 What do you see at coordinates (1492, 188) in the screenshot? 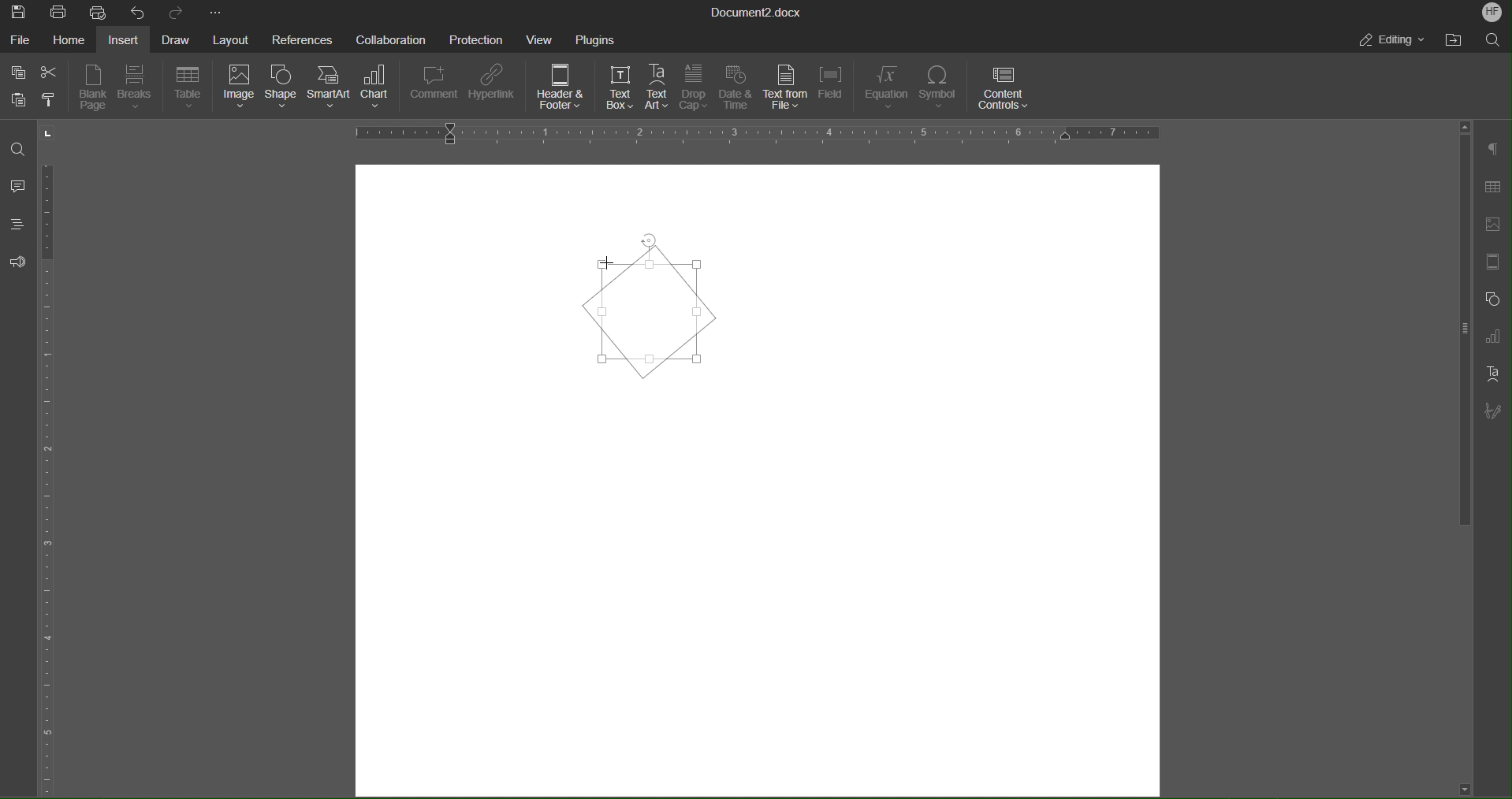
I see `Table` at bounding box center [1492, 188].